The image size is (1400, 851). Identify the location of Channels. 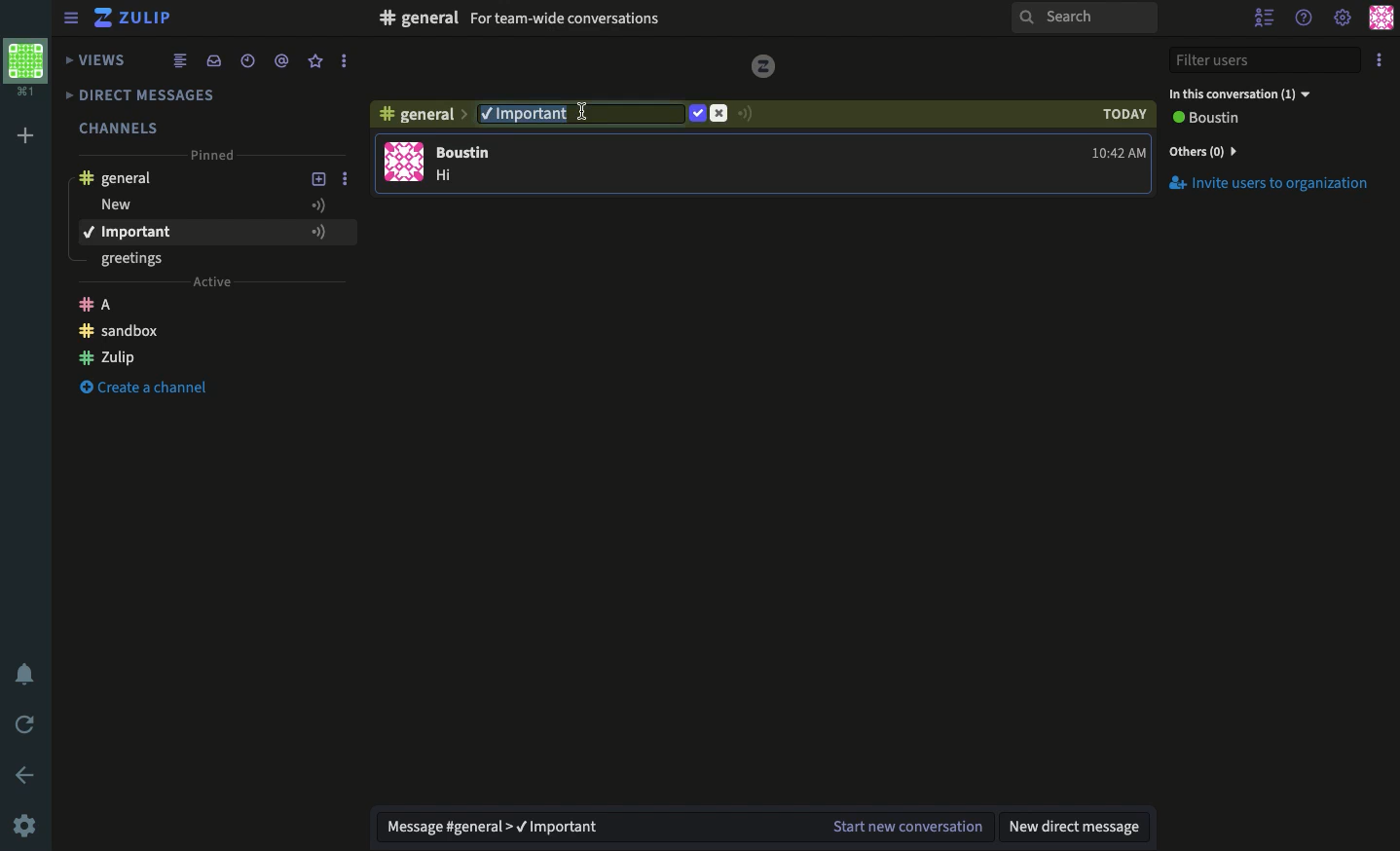
(121, 124).